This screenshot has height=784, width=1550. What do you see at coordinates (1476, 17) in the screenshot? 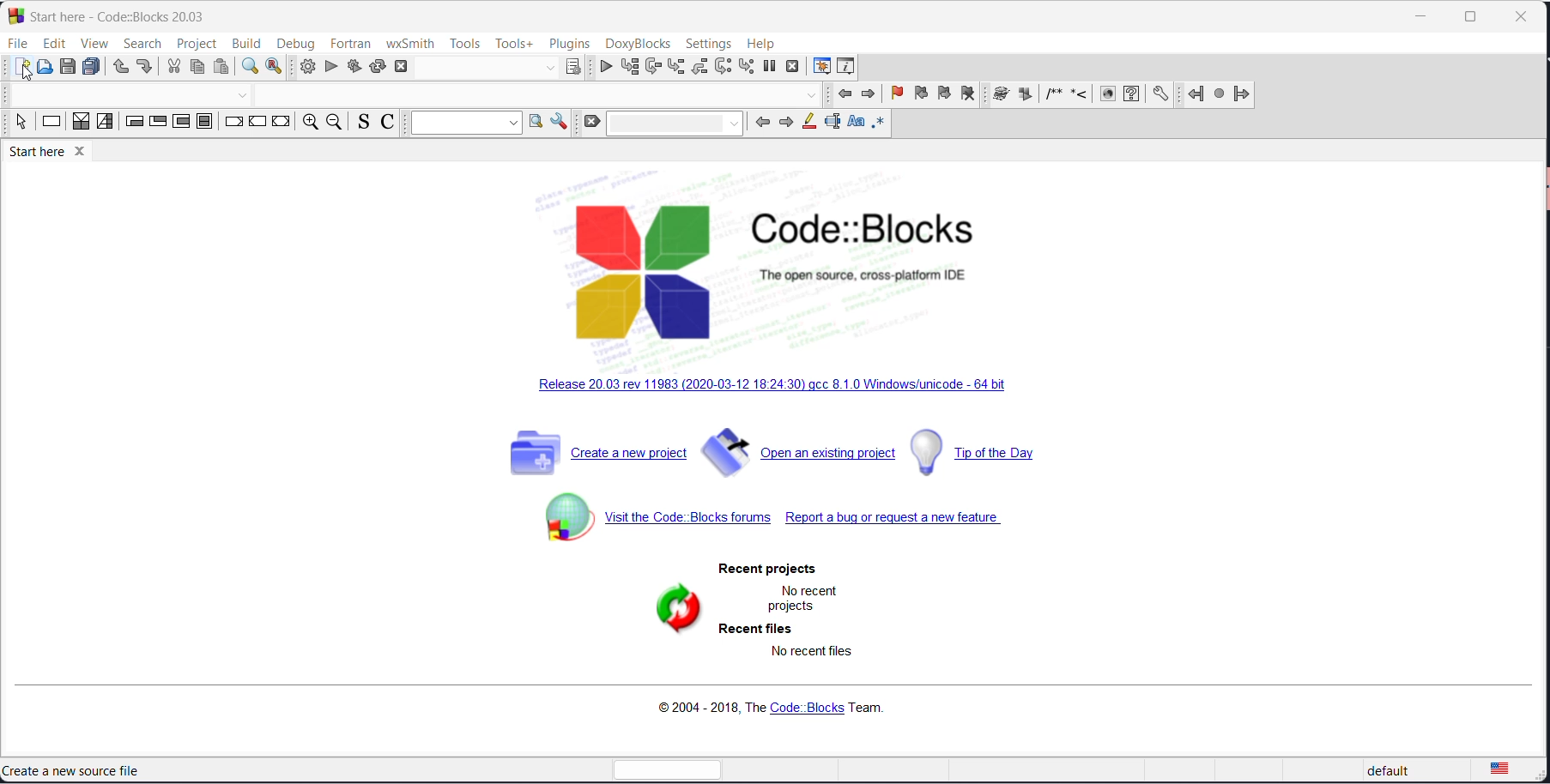
I see `maximize` at bounding box center [1476, 17].